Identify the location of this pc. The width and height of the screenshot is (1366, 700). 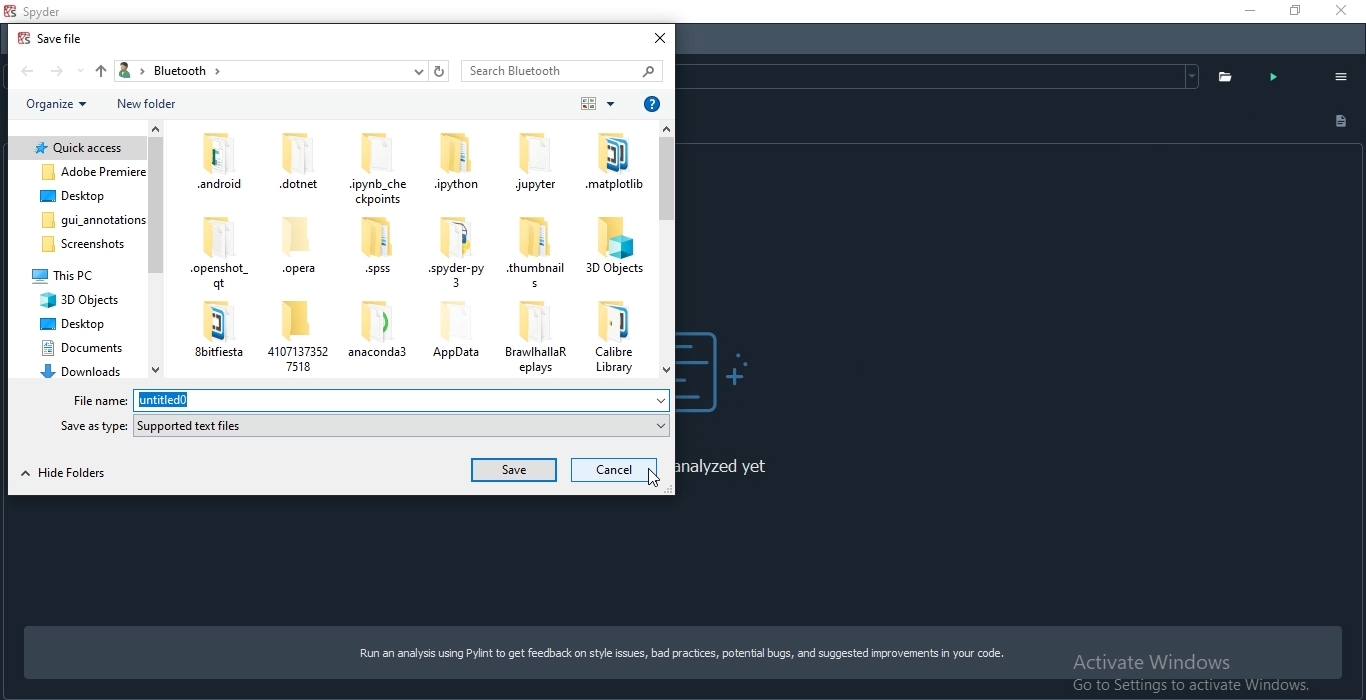
(67, 276).